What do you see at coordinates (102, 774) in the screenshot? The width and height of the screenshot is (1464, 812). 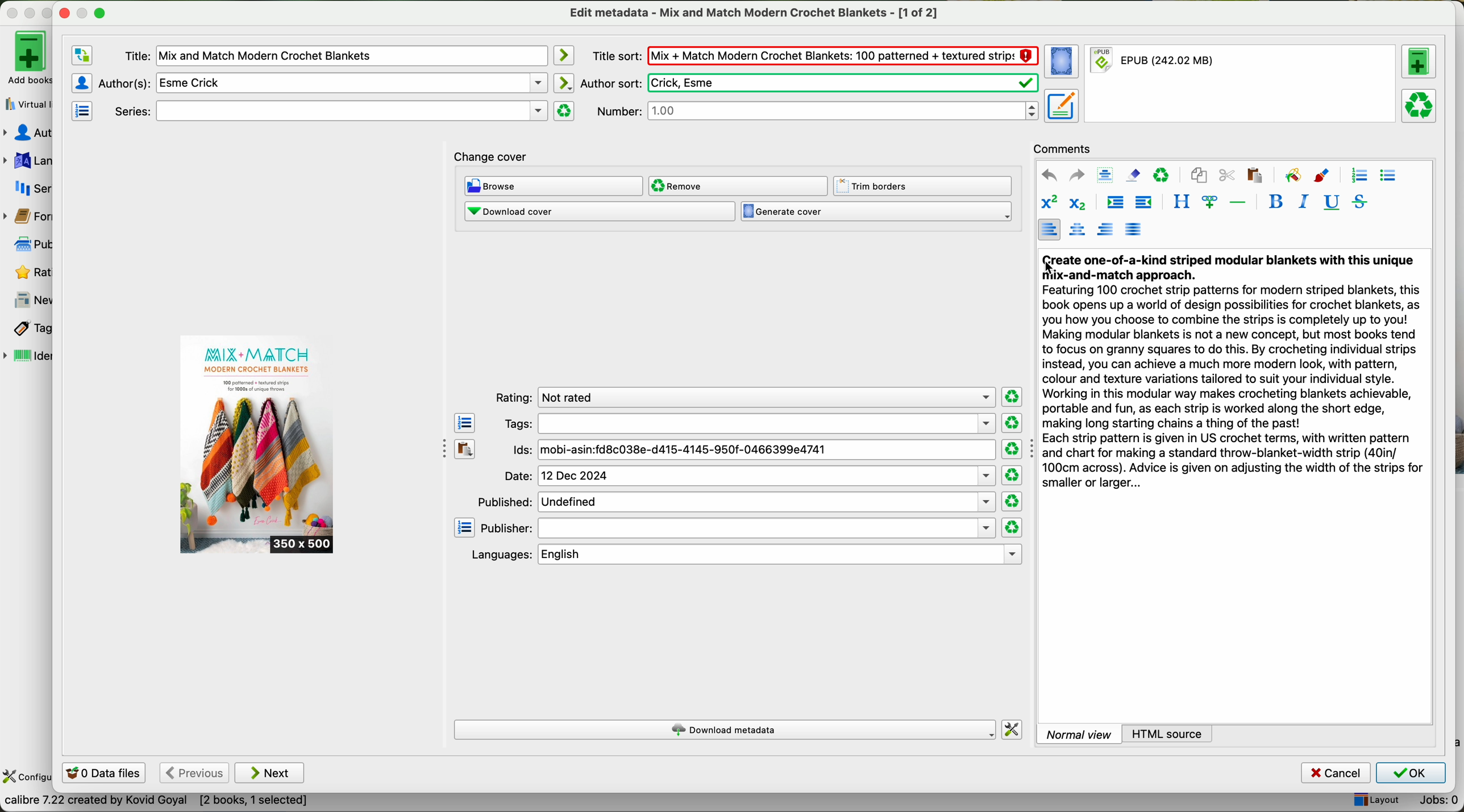 I see `data files` at bounding box center [102, 774].